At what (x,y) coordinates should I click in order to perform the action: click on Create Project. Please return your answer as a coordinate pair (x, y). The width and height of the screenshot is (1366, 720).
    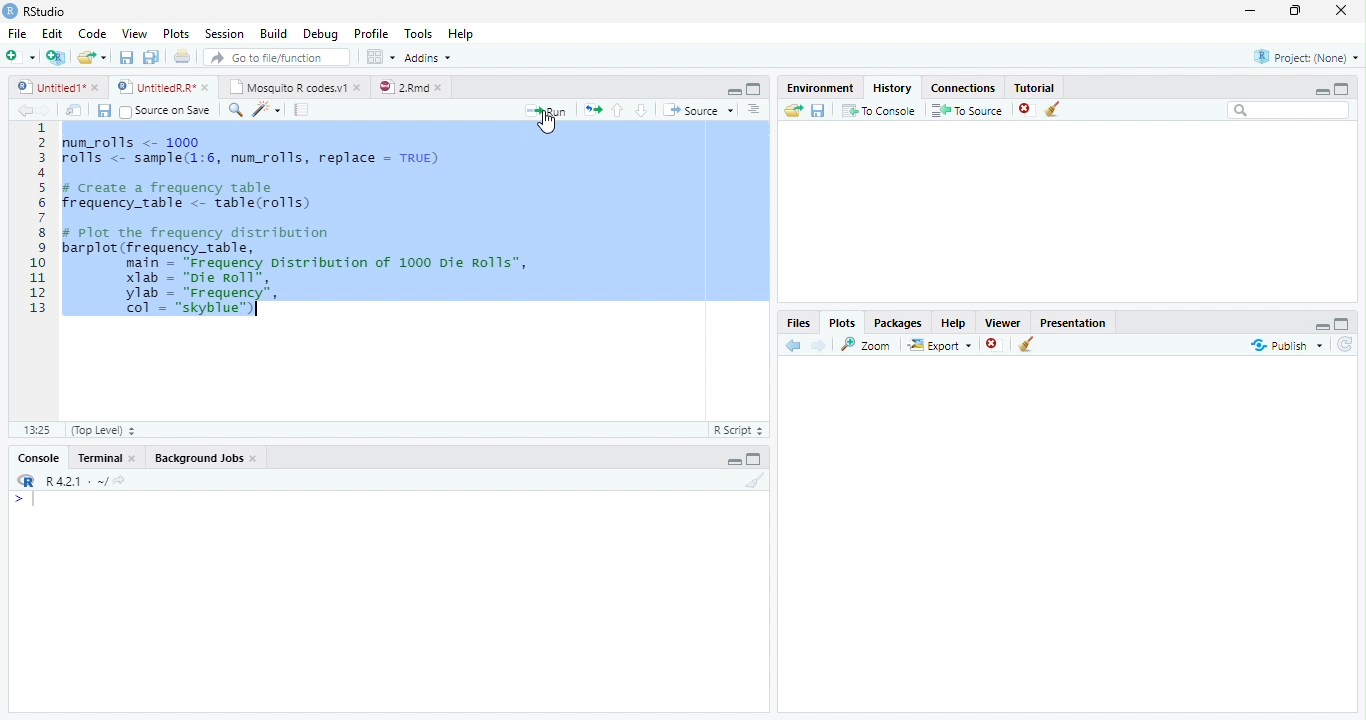
    Looking at the image, I should click on (56, 58).